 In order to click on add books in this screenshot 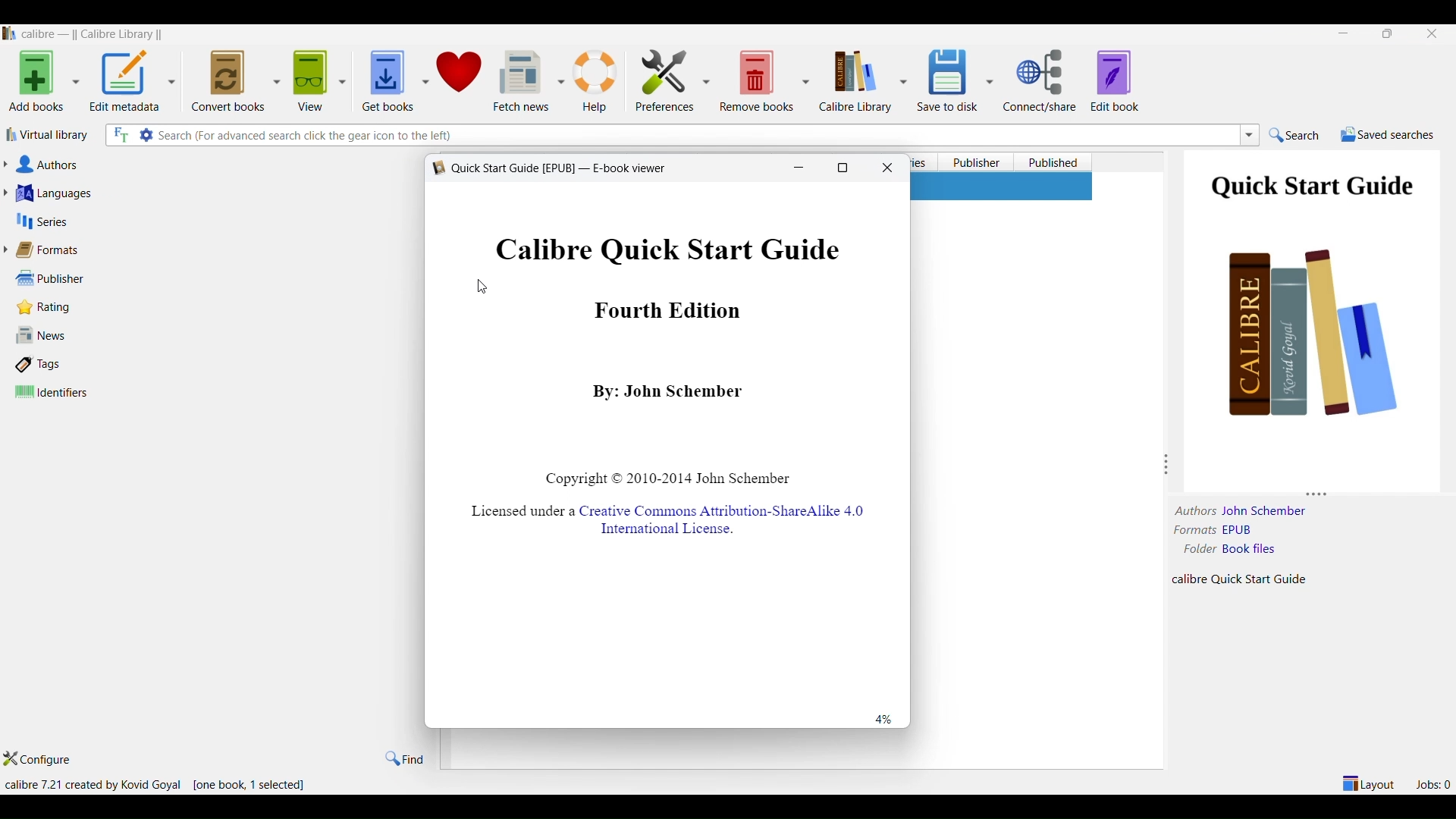, I will do `click(37, 83)`.